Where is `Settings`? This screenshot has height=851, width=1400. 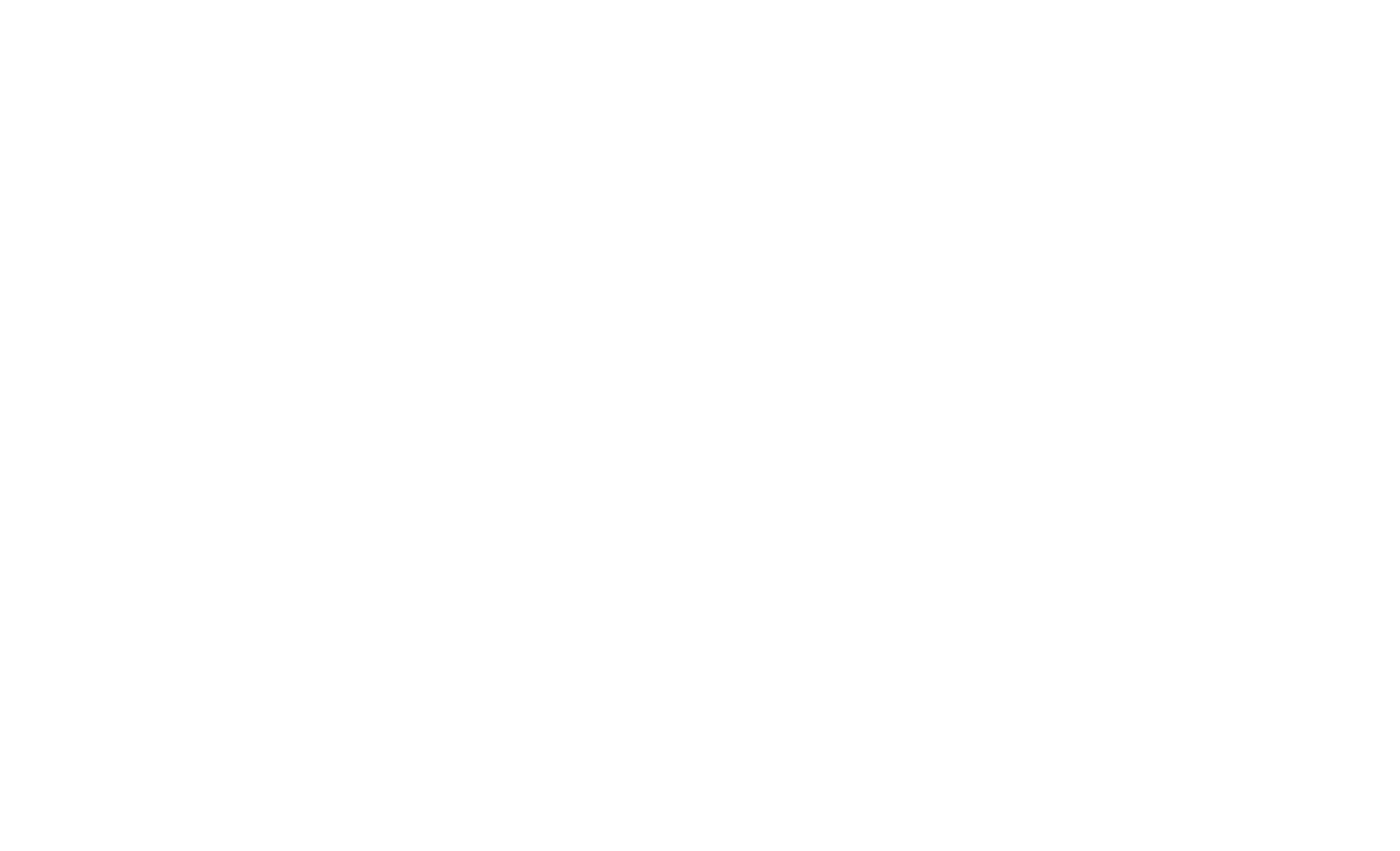
Settings is located at coordinates (1379, 677).